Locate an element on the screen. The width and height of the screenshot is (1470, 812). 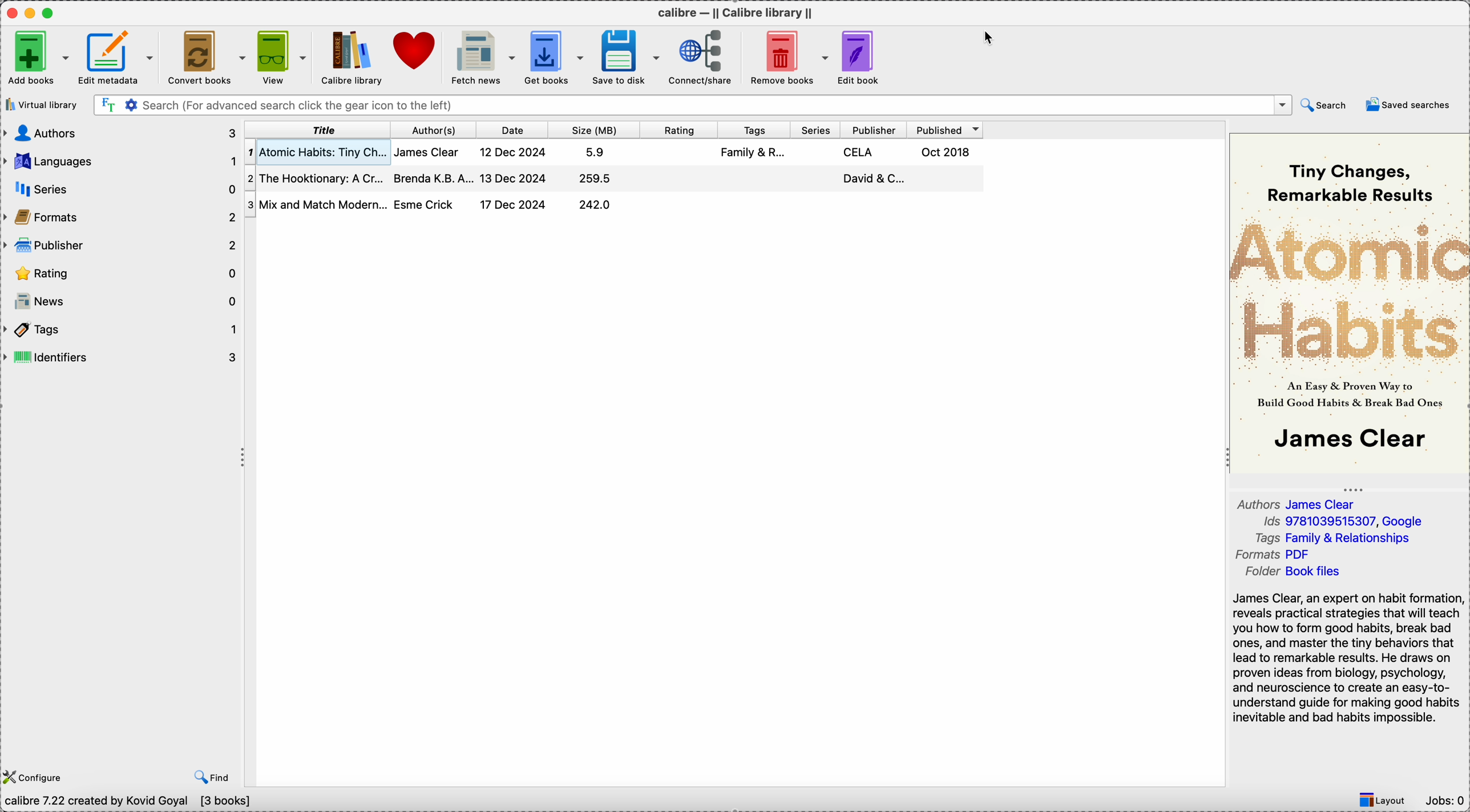
CELA is located at coordinates (859, 152).